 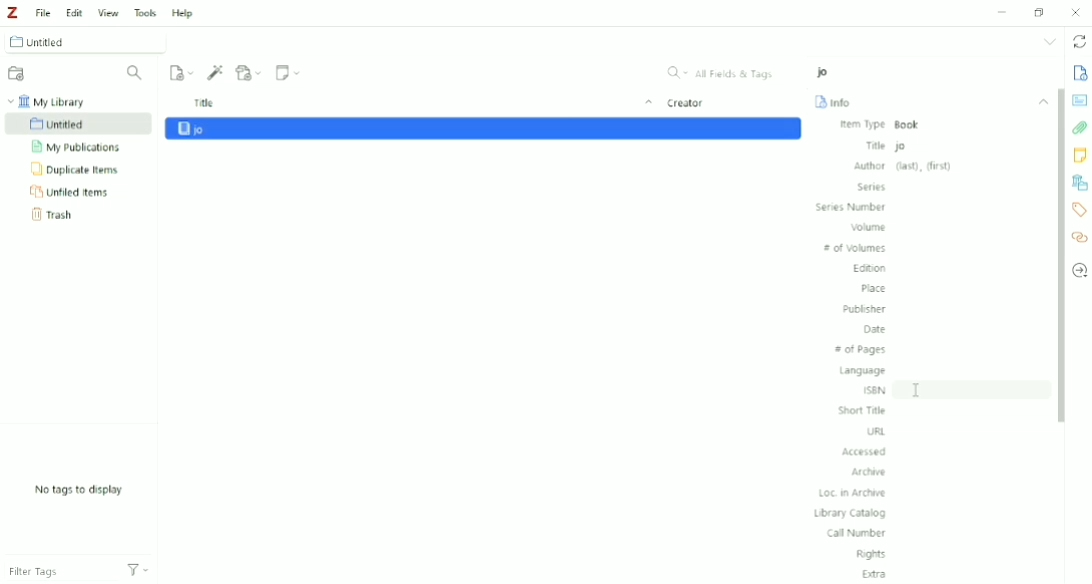 I want to click on Info, so click(x=833, y=102).